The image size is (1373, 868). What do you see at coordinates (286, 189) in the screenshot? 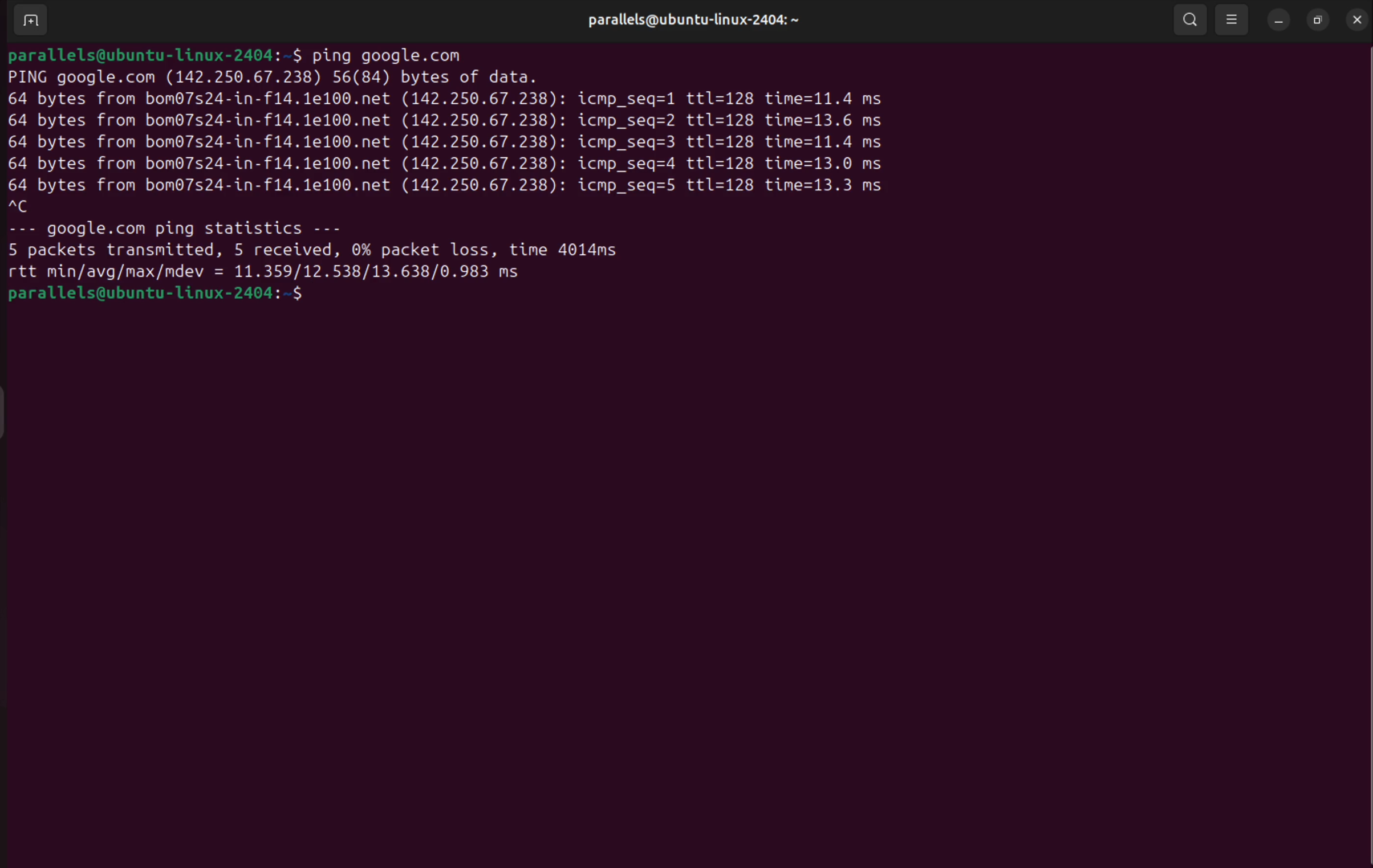
I see `64 bytes from bom poert .net` at bounding box center [286, 189].